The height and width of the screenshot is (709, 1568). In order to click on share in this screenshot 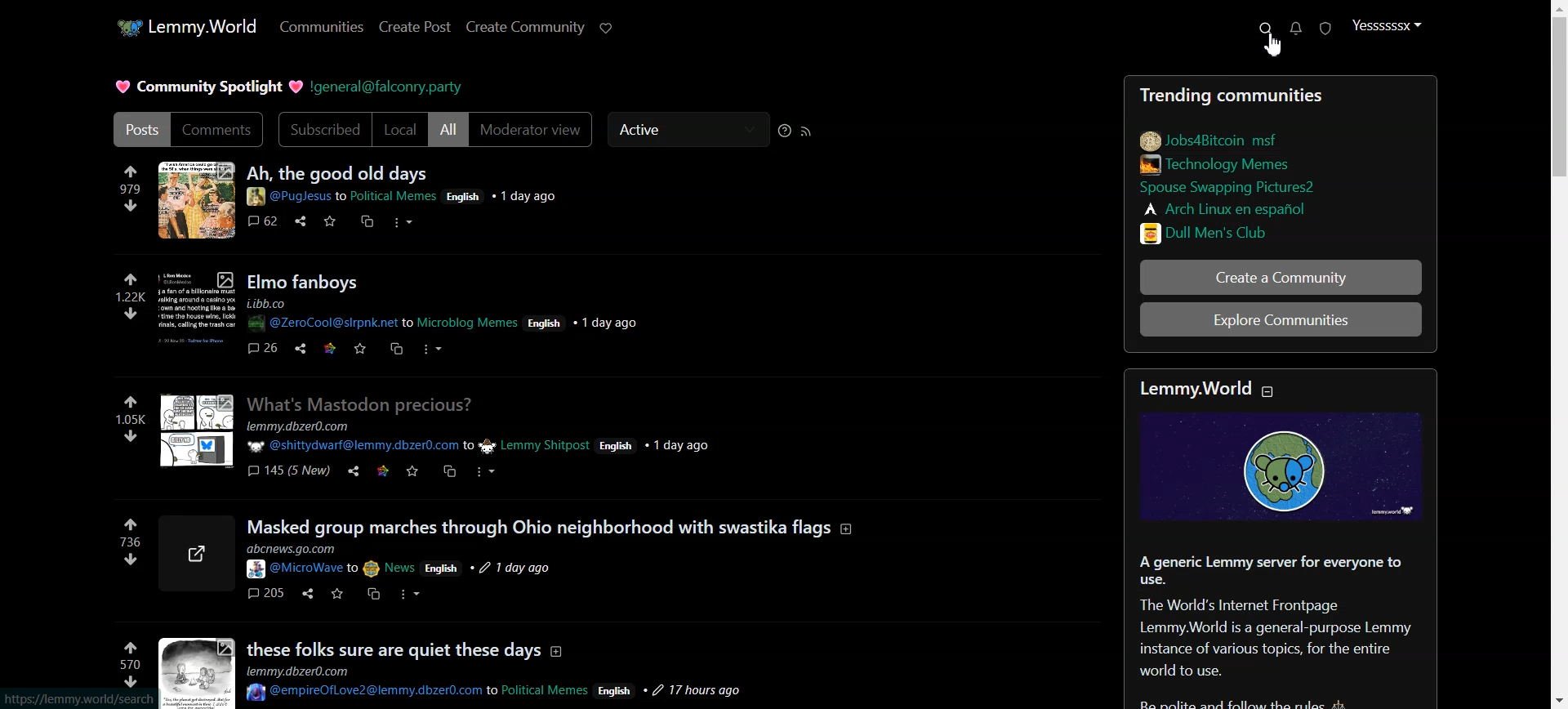, I will do `click(352, 470)`.